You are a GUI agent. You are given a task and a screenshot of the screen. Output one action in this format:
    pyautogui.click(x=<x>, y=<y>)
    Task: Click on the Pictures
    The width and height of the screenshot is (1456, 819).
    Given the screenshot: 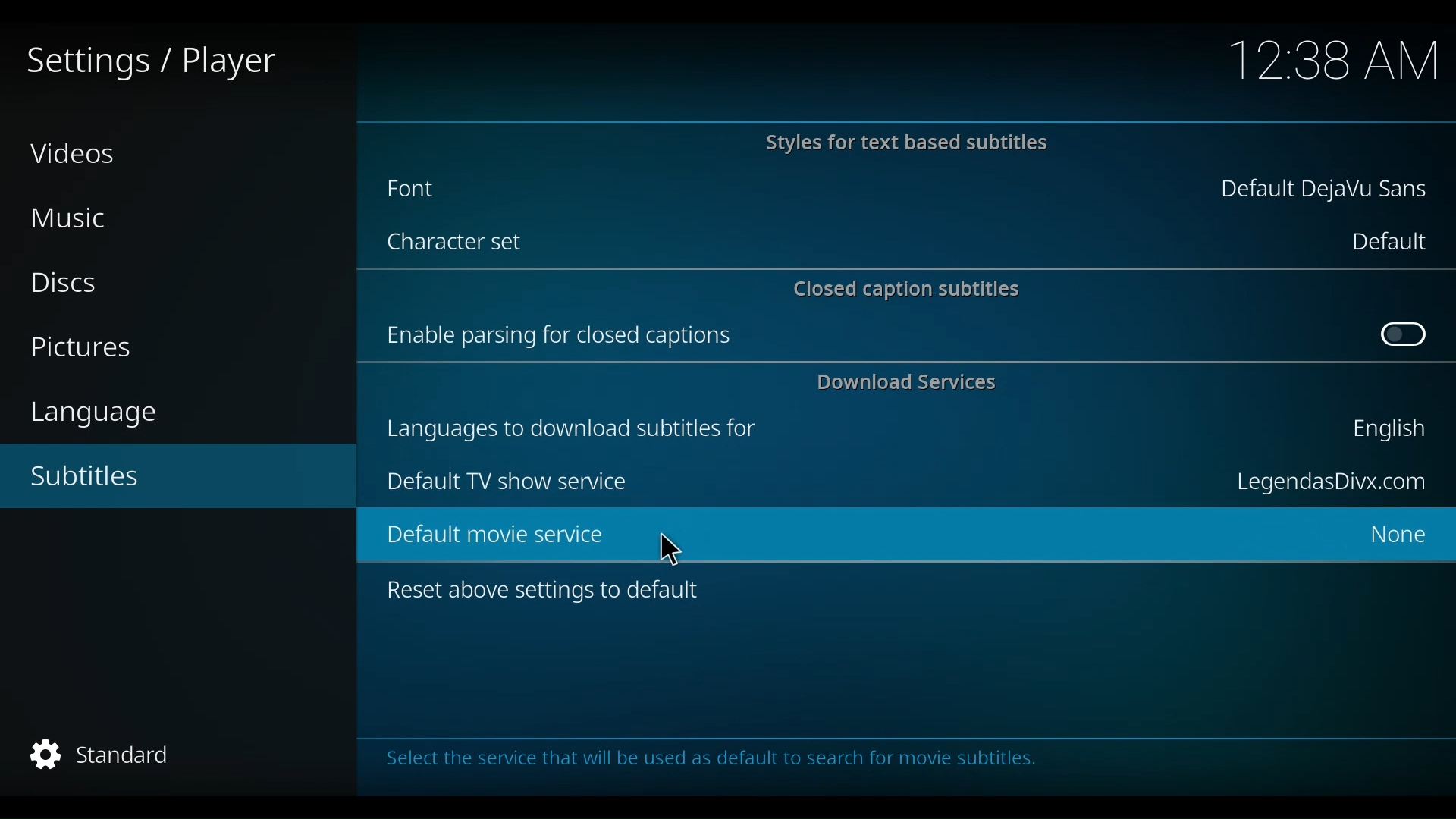 What is the action you would take?
    pyautogui.click(x=88, y=349)
    